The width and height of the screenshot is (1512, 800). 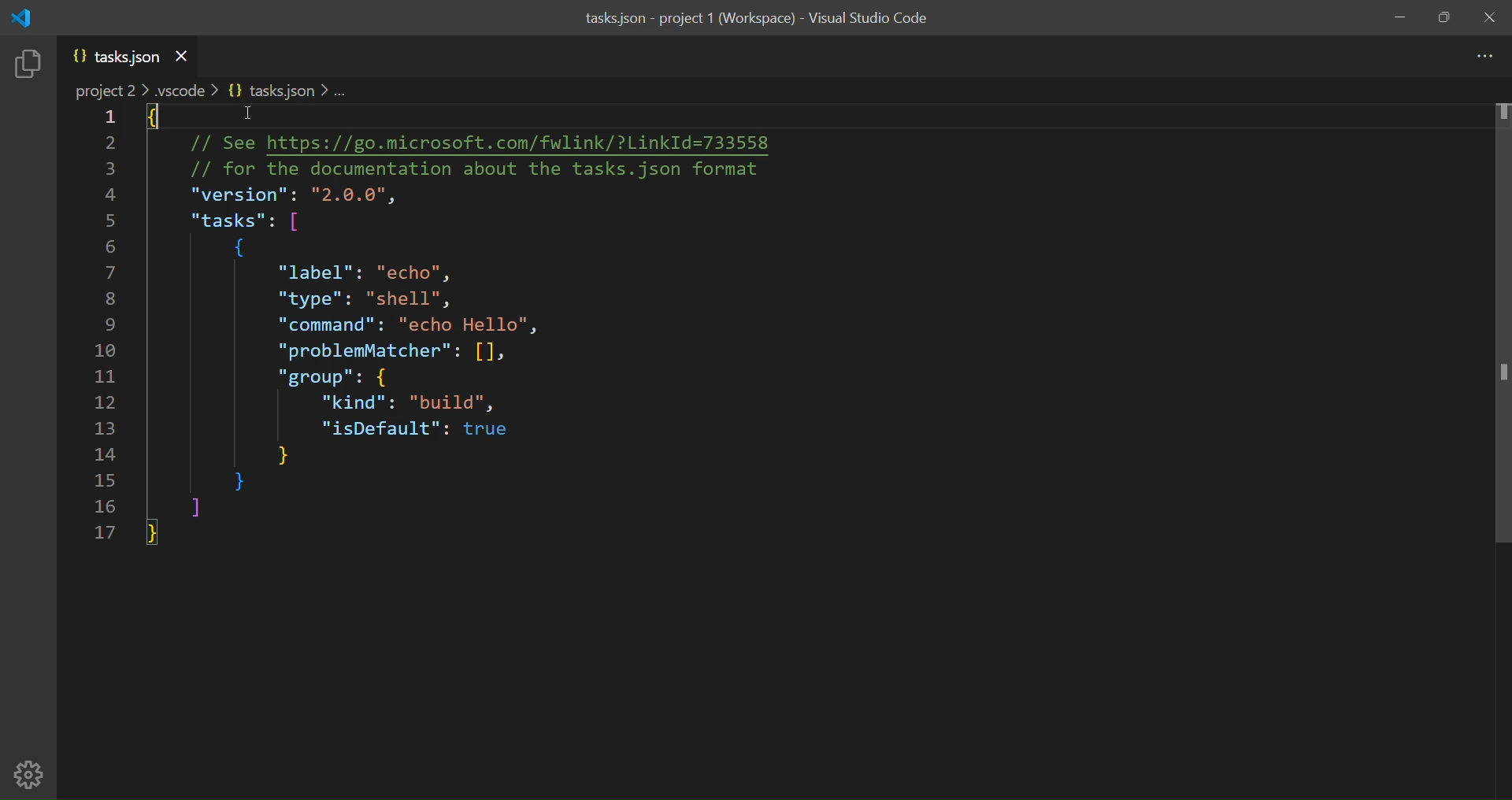 I want to click on path, so click(x=213, y=91).